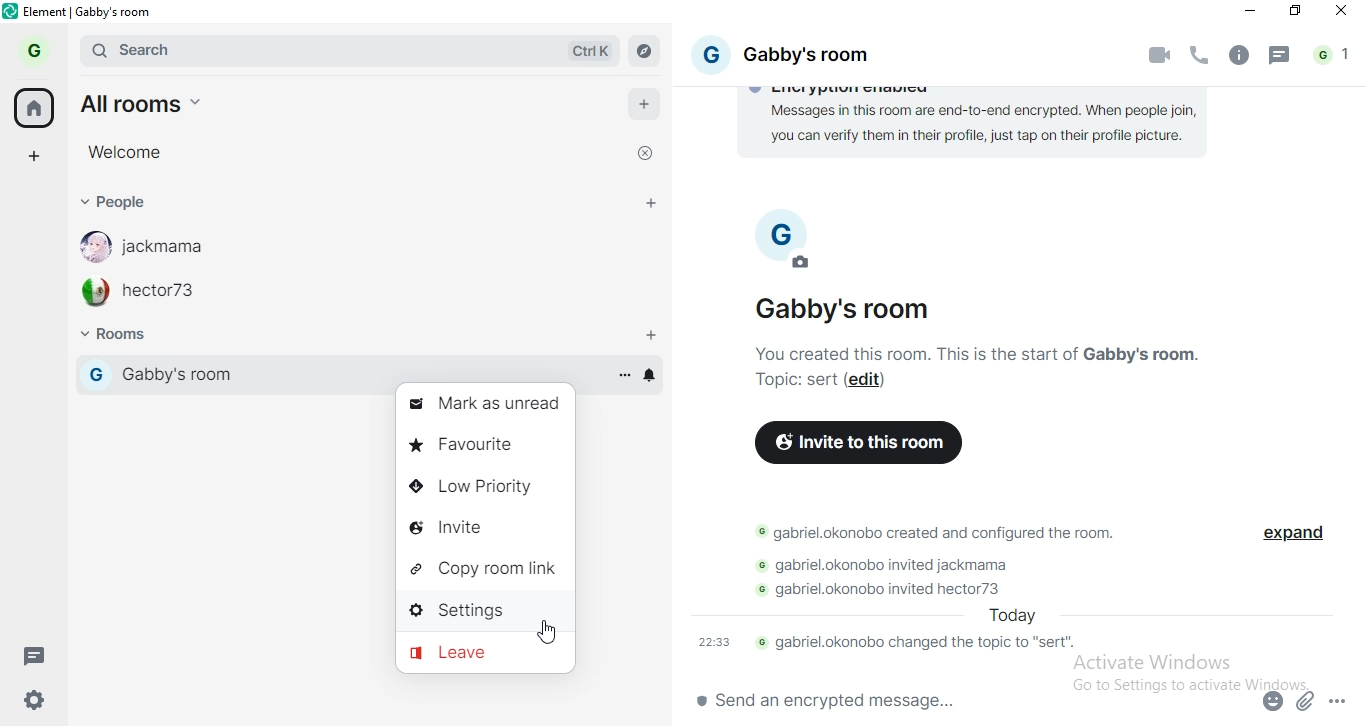 This screenshot has width=1366, height=726. Describe the element at coordinates (938, 533) in the screenshot. I see `text 3` at that location.